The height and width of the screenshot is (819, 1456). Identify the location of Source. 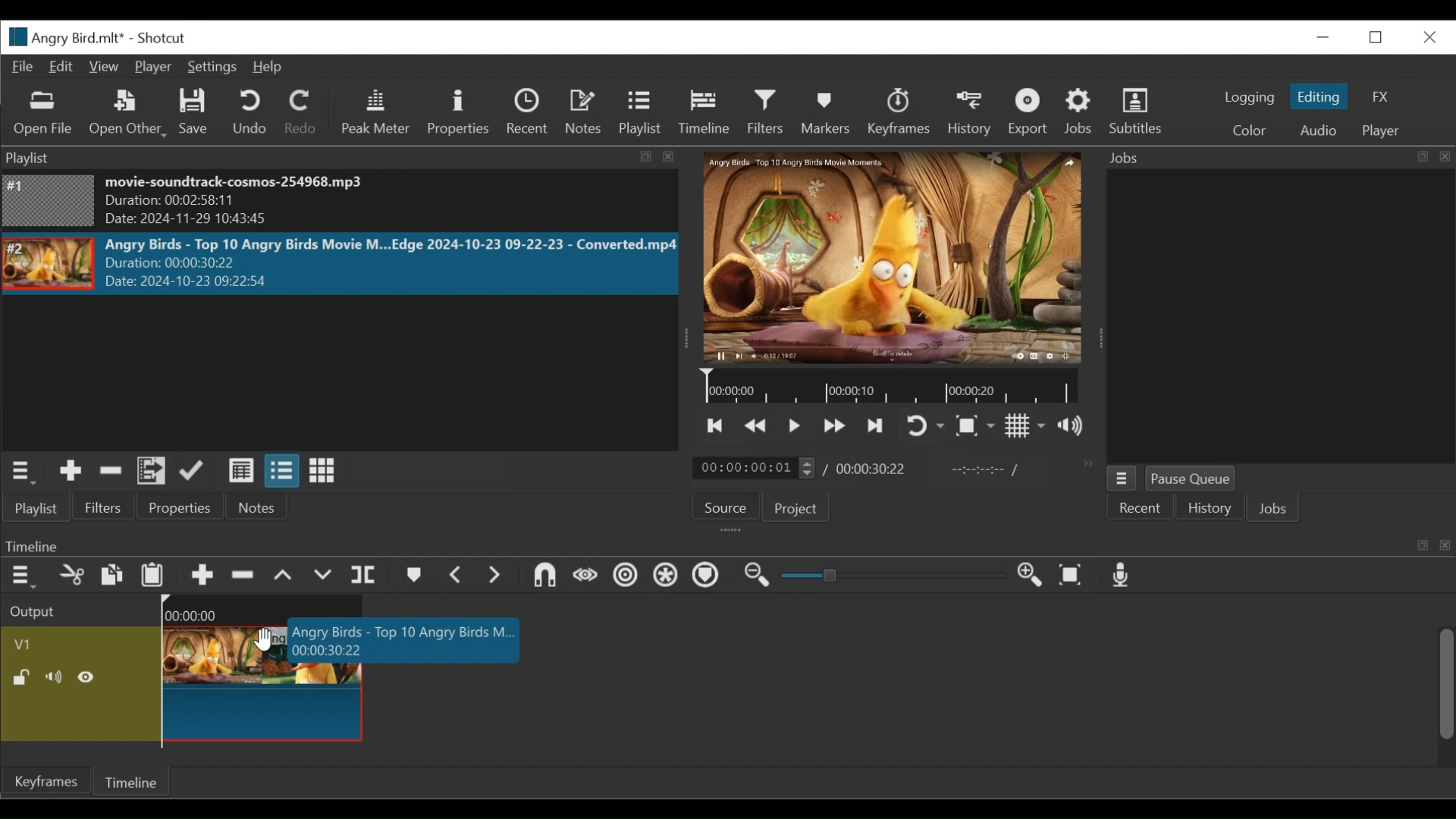
(726, 508).